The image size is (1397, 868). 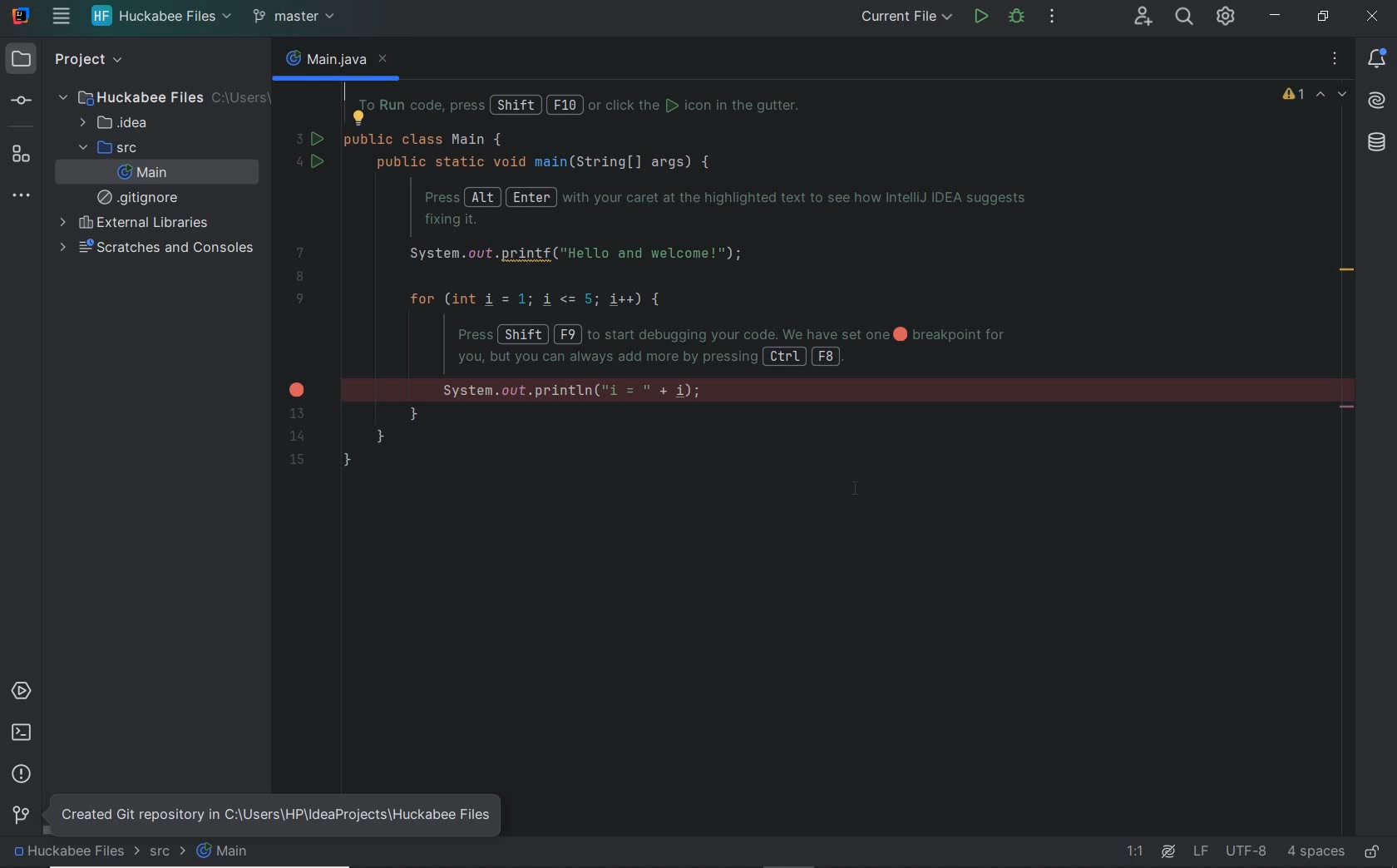 I want to click on structure, so click(x=23, y=154).